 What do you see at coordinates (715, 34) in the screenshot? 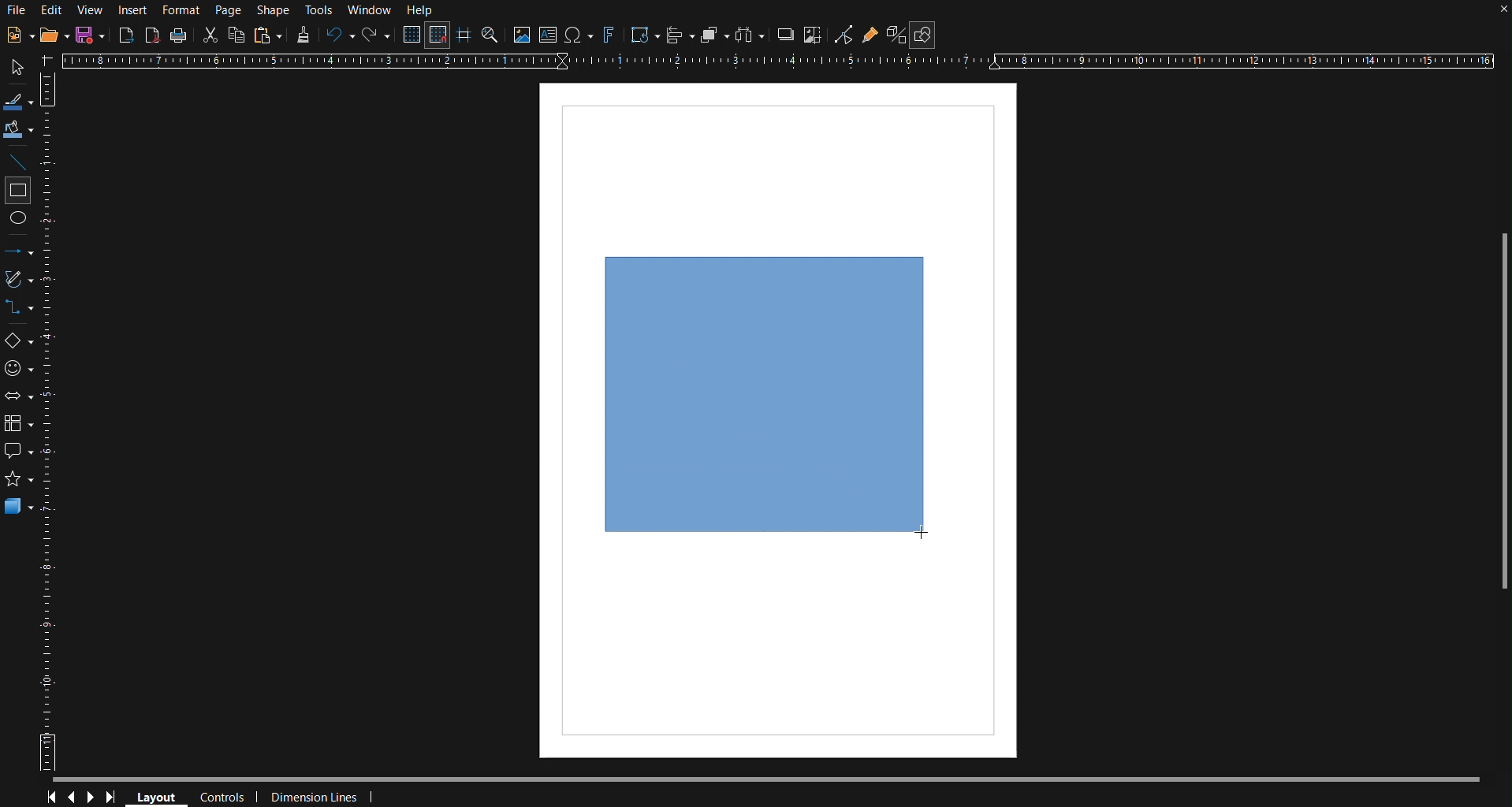
I see `Arrange` at bounding box center [715, 34].